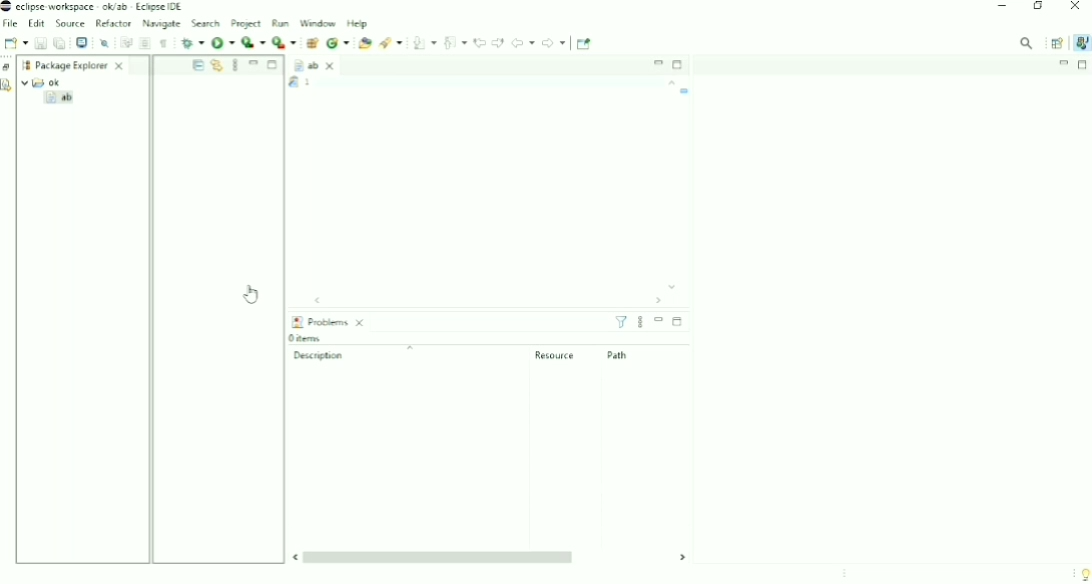 The image size is (1092, 584). I want to click on Forward, so click(554, 43).